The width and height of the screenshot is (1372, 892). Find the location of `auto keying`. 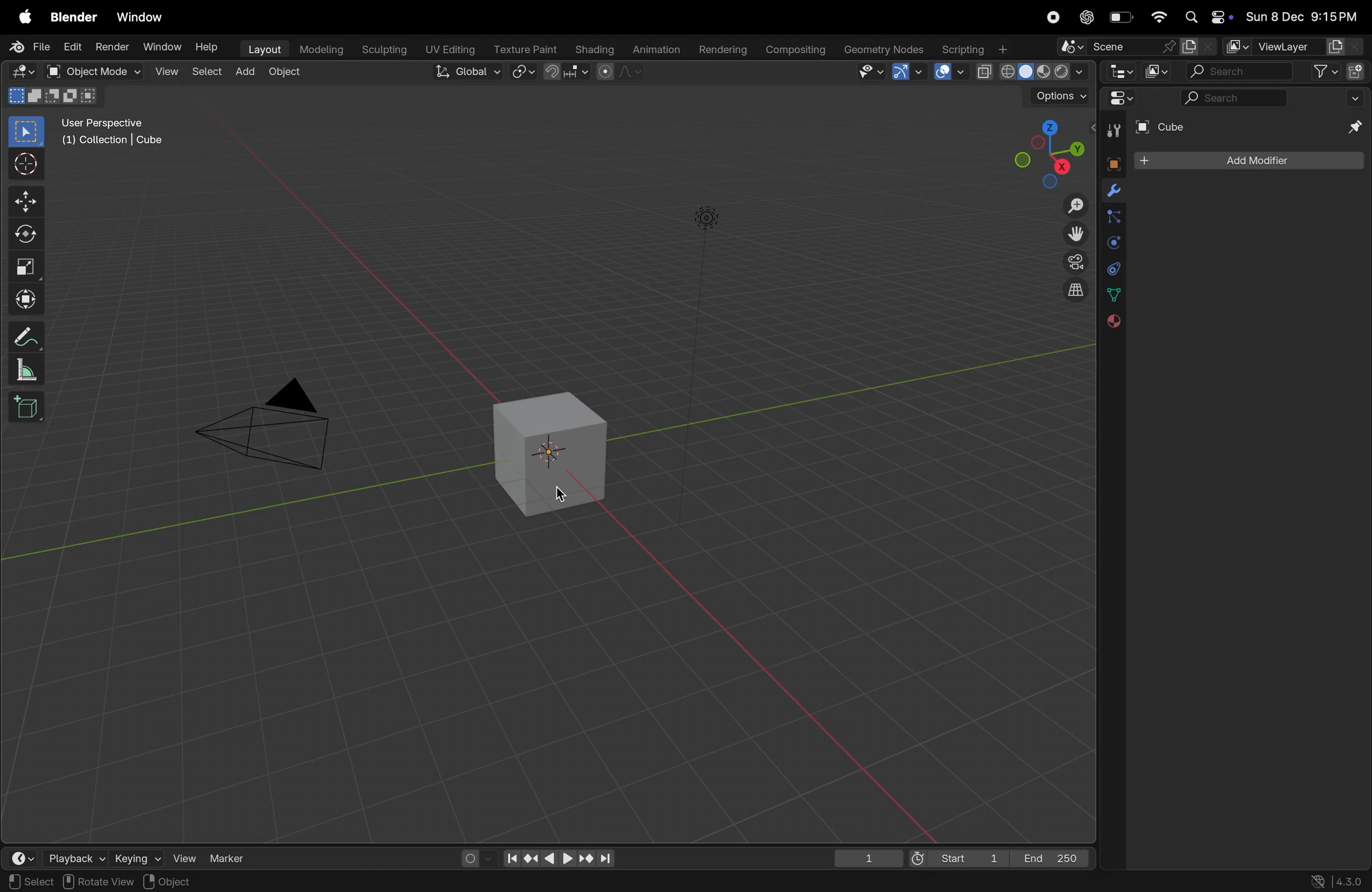

auto keying is located at coordinates (472, 856).